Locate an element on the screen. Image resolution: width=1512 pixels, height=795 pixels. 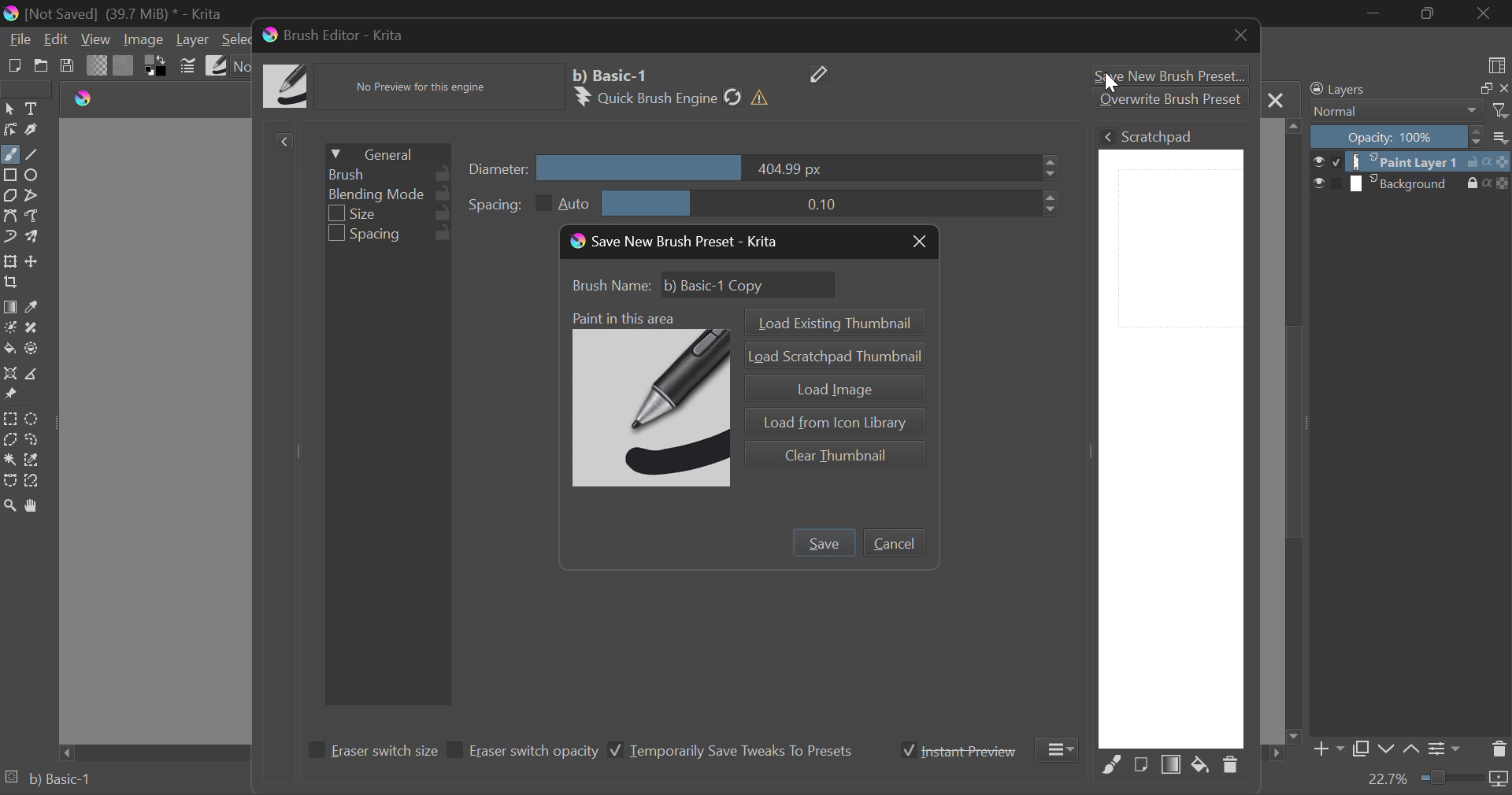
Load Scratchpad Thumbnail is located at coordinates (835, 356).